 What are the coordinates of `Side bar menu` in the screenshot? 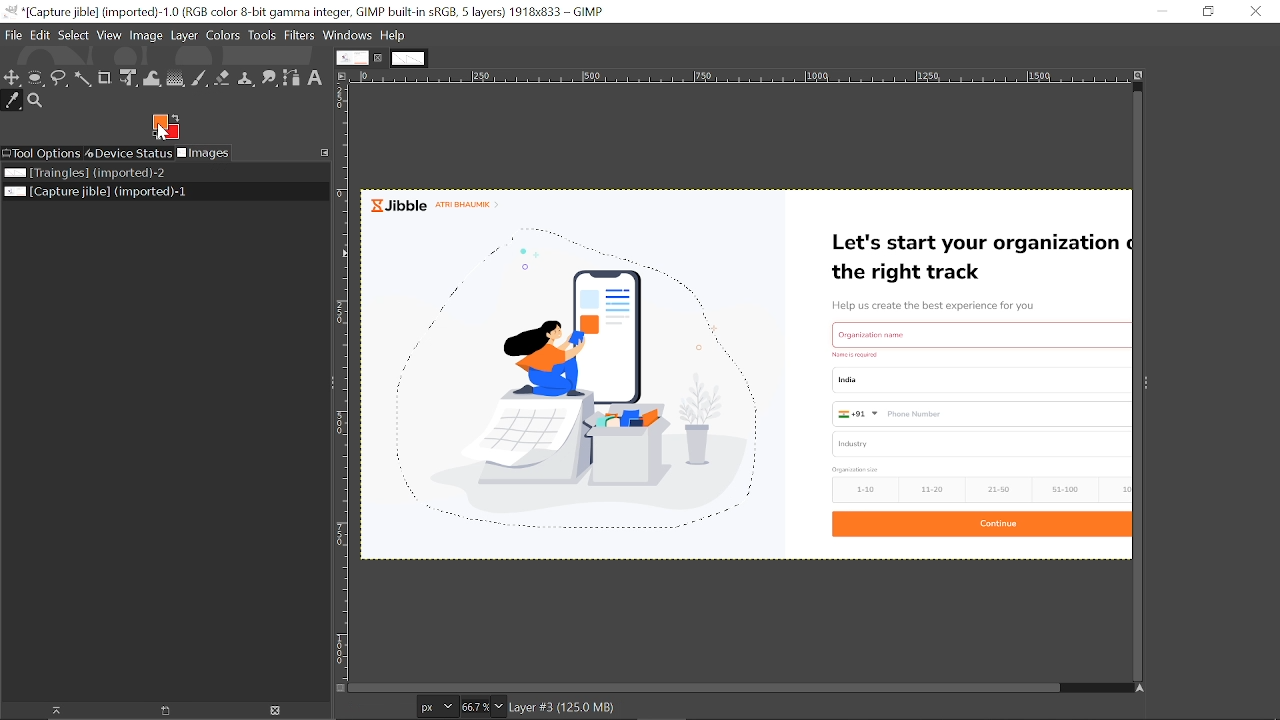 It's located at (1145, 385).